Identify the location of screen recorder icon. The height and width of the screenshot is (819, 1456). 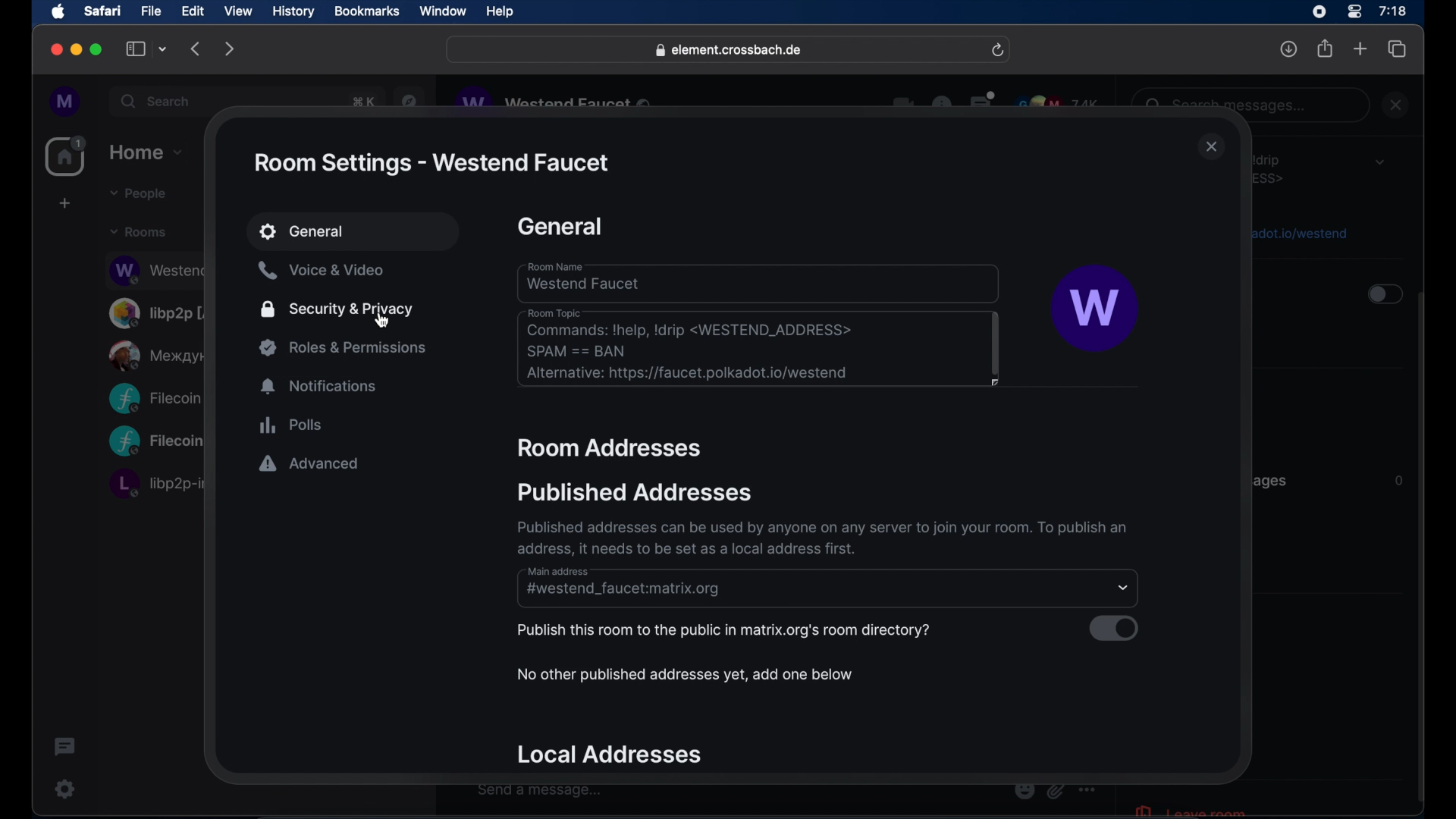
(1319, 12).